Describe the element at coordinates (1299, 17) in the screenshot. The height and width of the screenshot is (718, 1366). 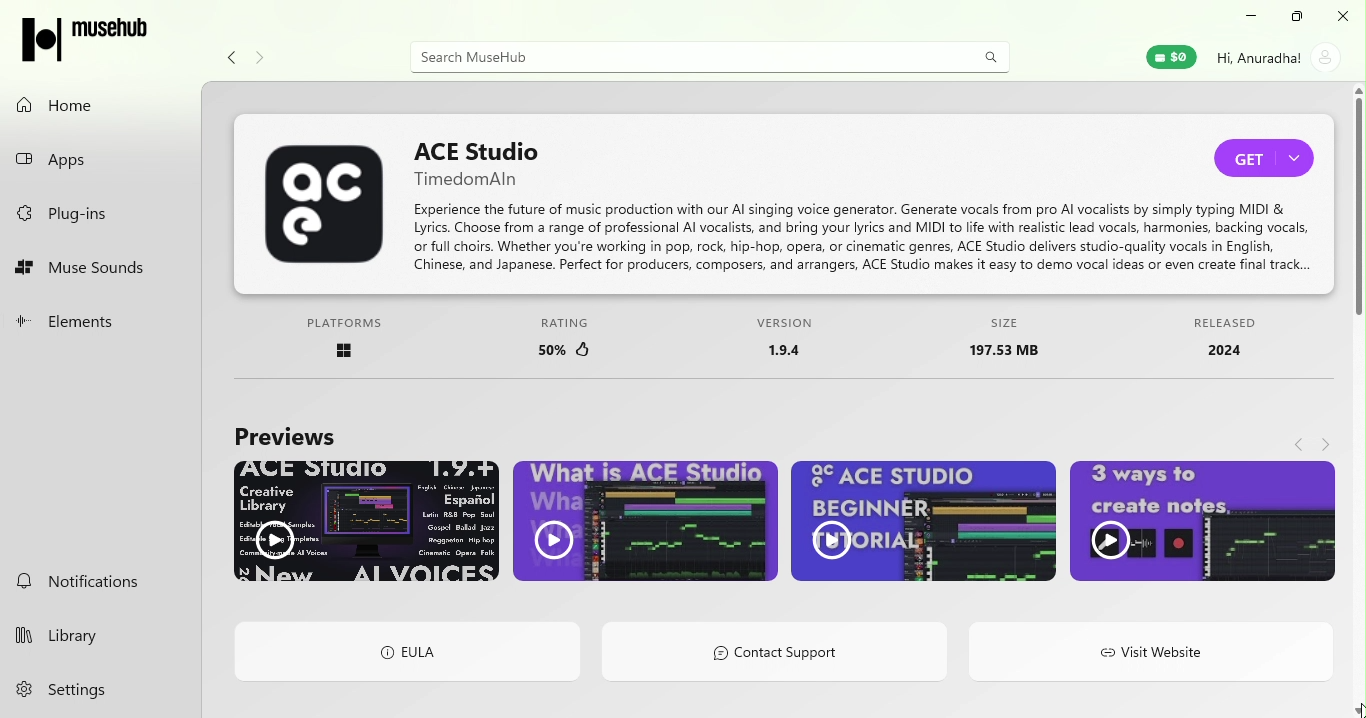
I see `maximize` at that location.